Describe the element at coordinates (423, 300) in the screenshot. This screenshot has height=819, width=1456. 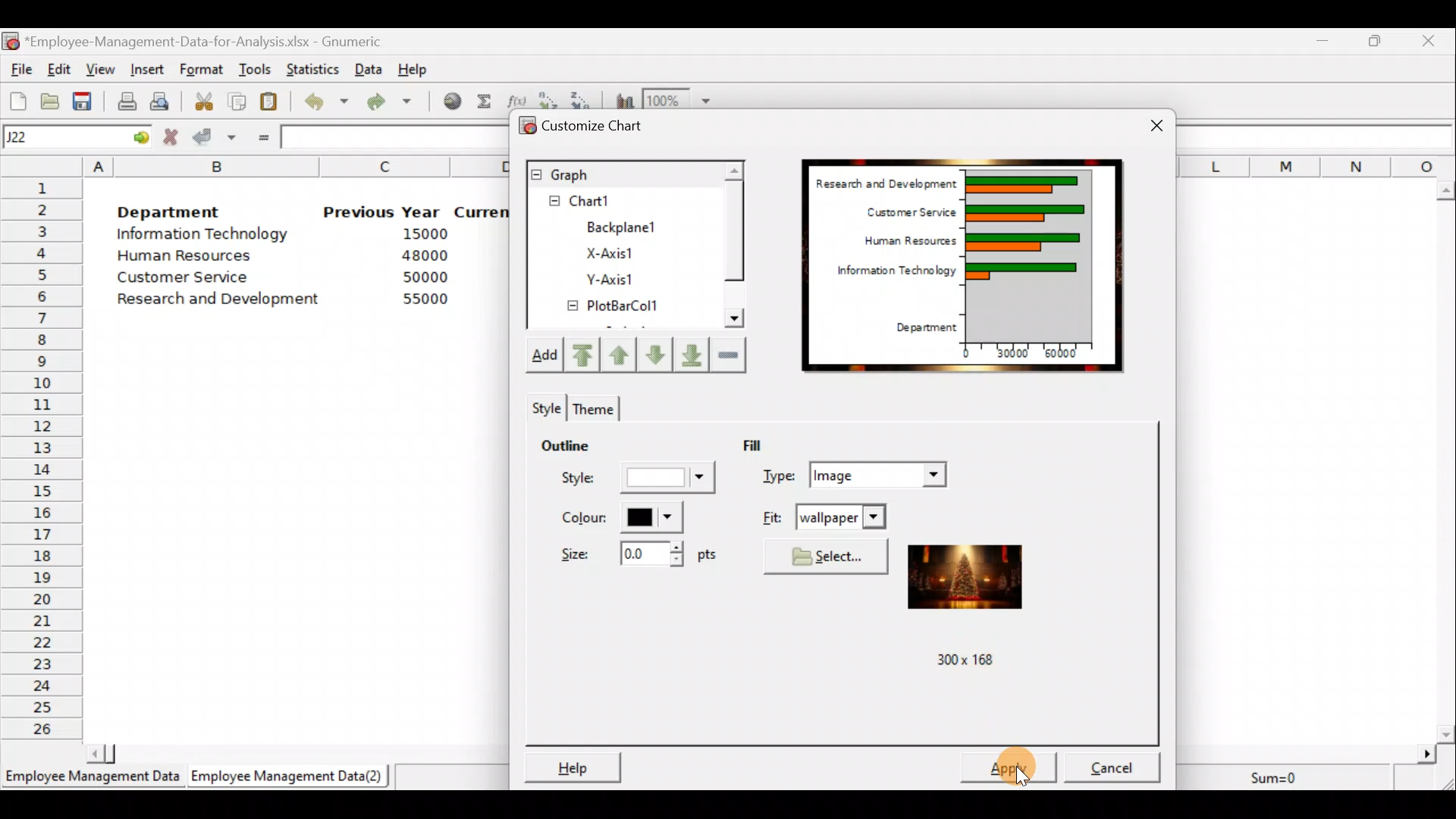
I see `55000` at that location.